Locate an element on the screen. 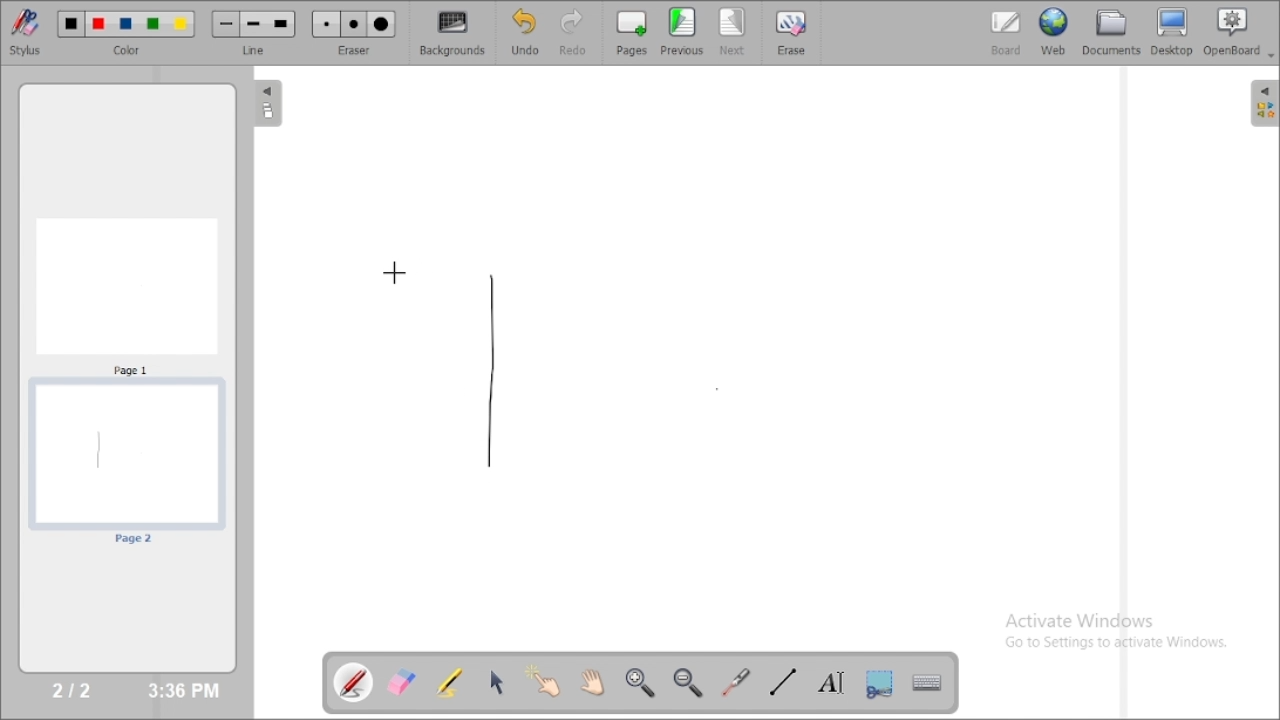 The image size is (1280, 720). page 2 is located at coordinates (126, 464).